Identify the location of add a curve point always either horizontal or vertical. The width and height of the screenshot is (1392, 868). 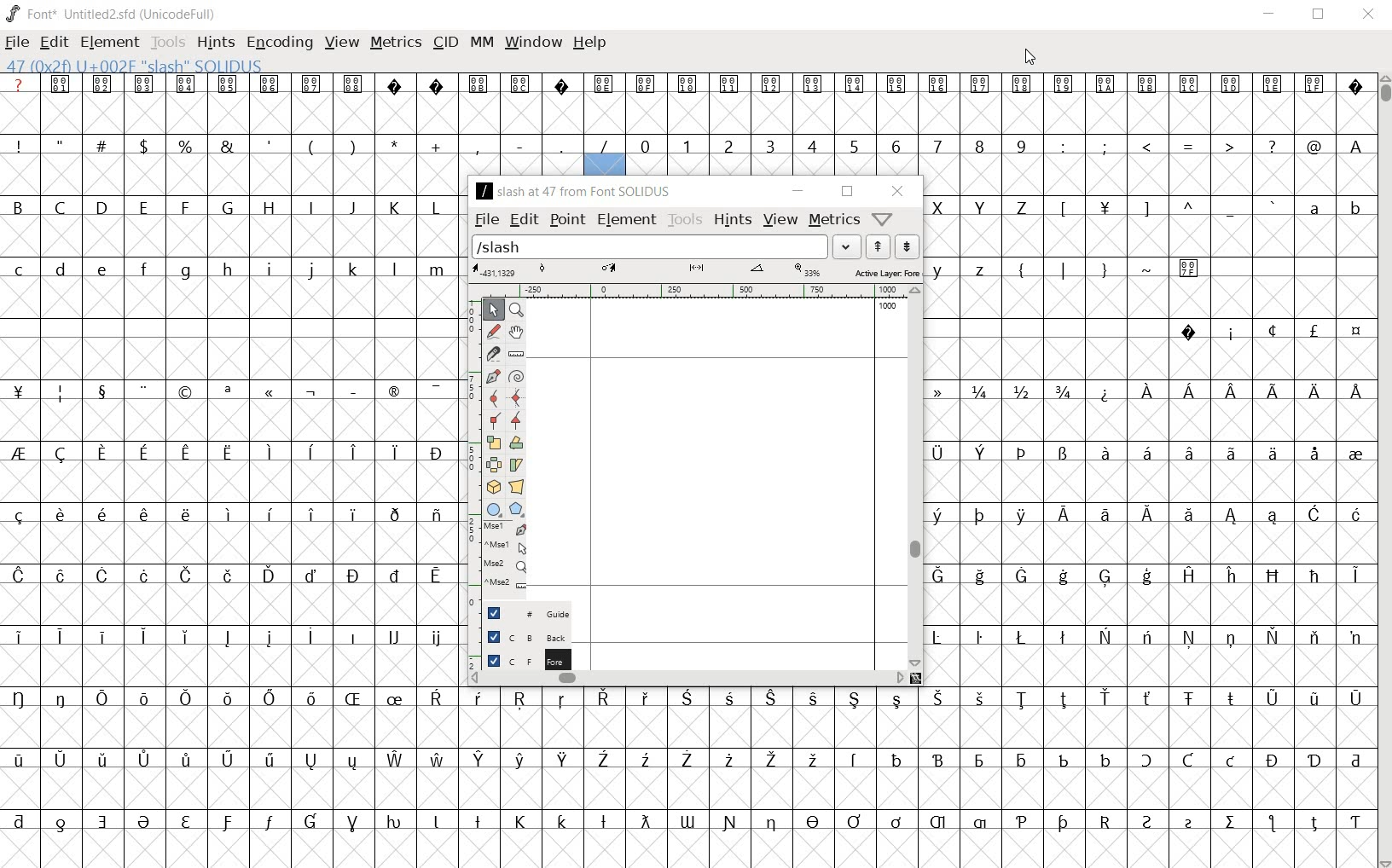
(514, 399).